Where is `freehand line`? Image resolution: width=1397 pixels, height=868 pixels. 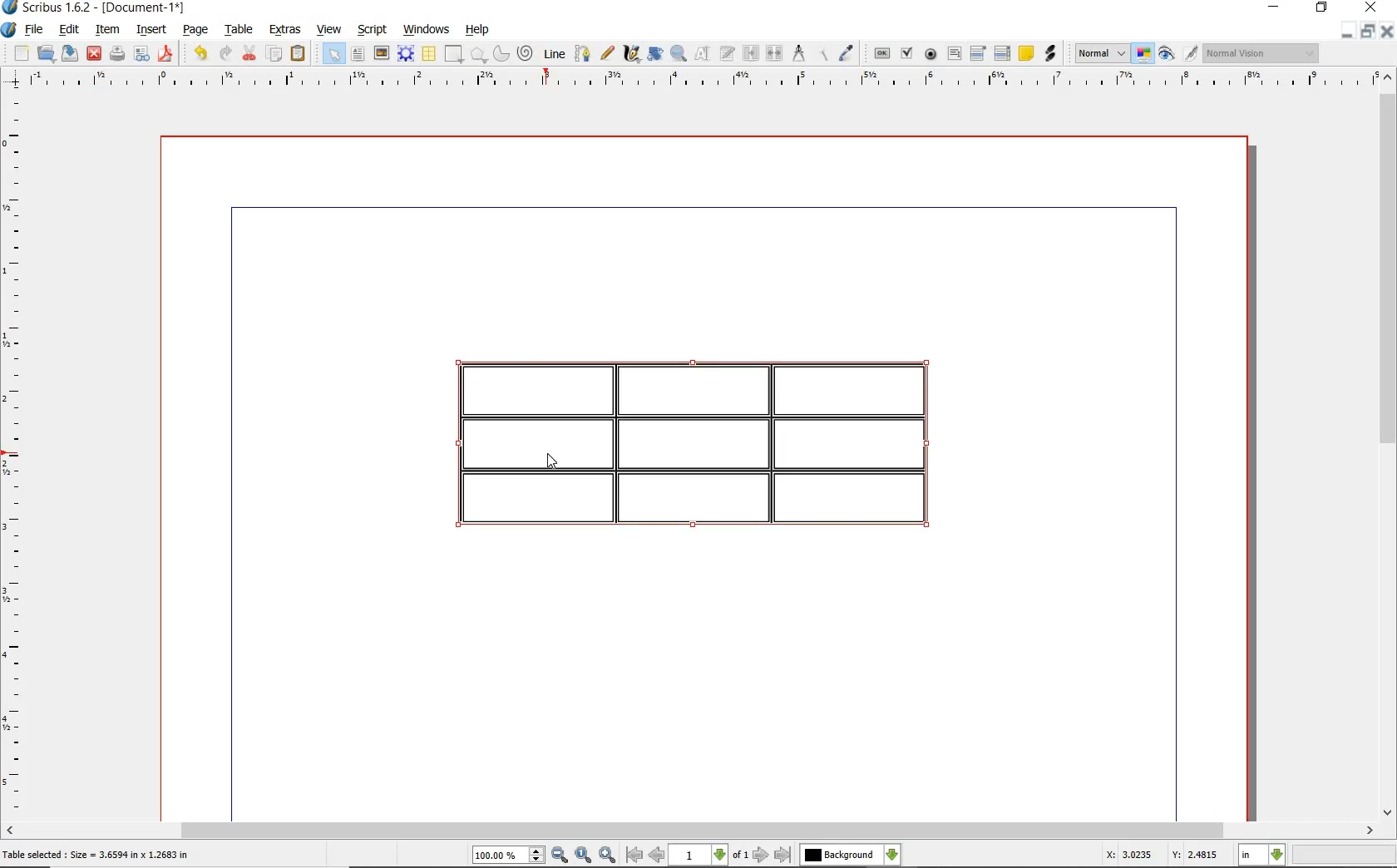
freehand line is located at coordinates (608, 55).